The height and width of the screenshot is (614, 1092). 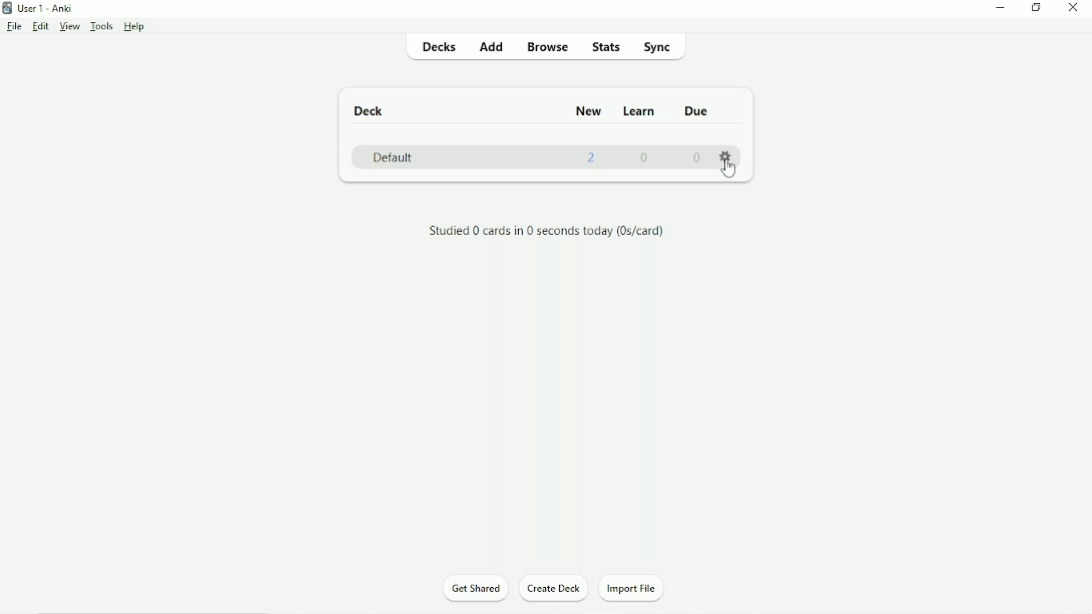 I want to click on Import File, so click(x=640, y=588).